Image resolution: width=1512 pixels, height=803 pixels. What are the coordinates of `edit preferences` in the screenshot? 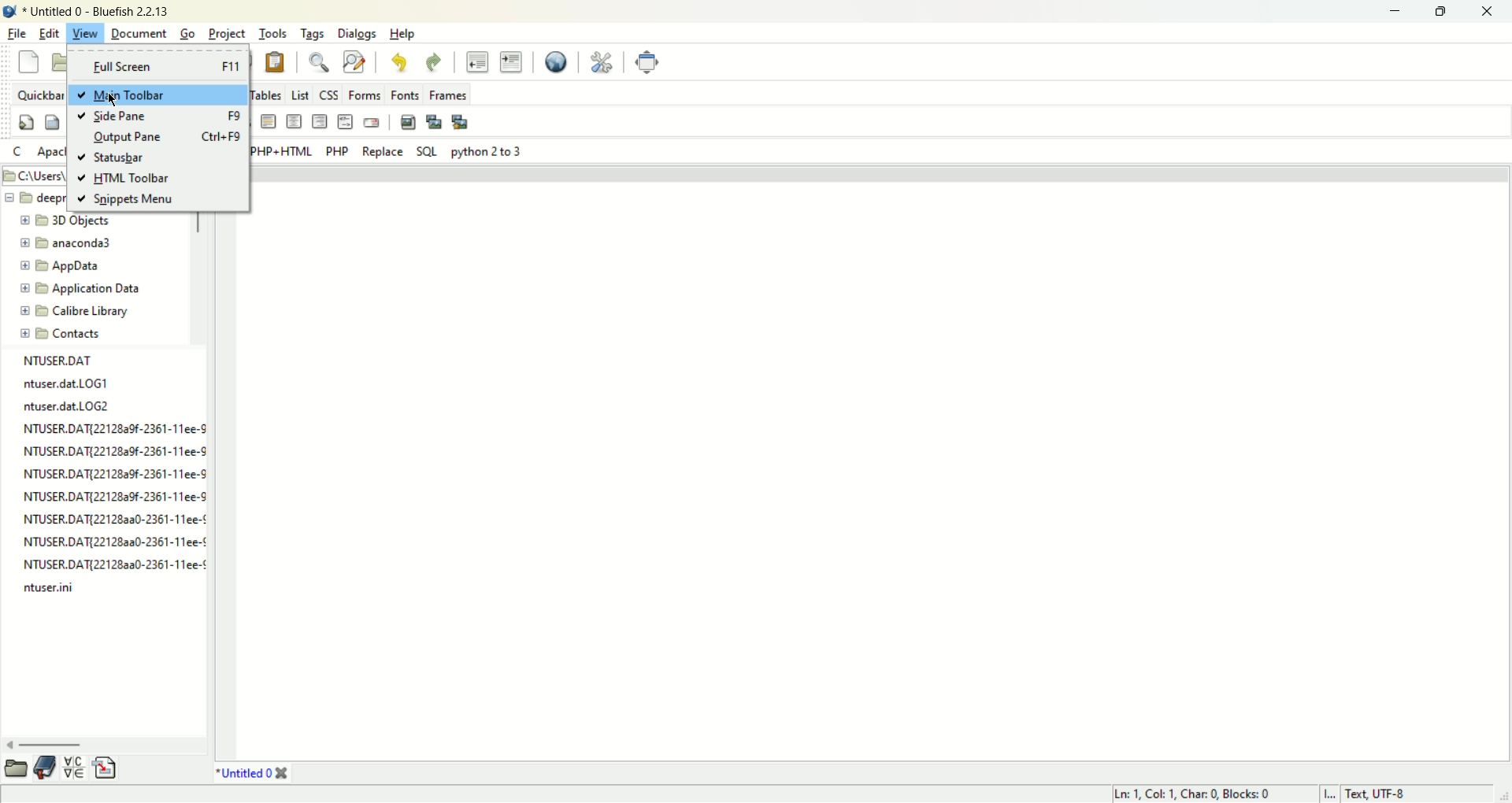 It's located at (599, 61).